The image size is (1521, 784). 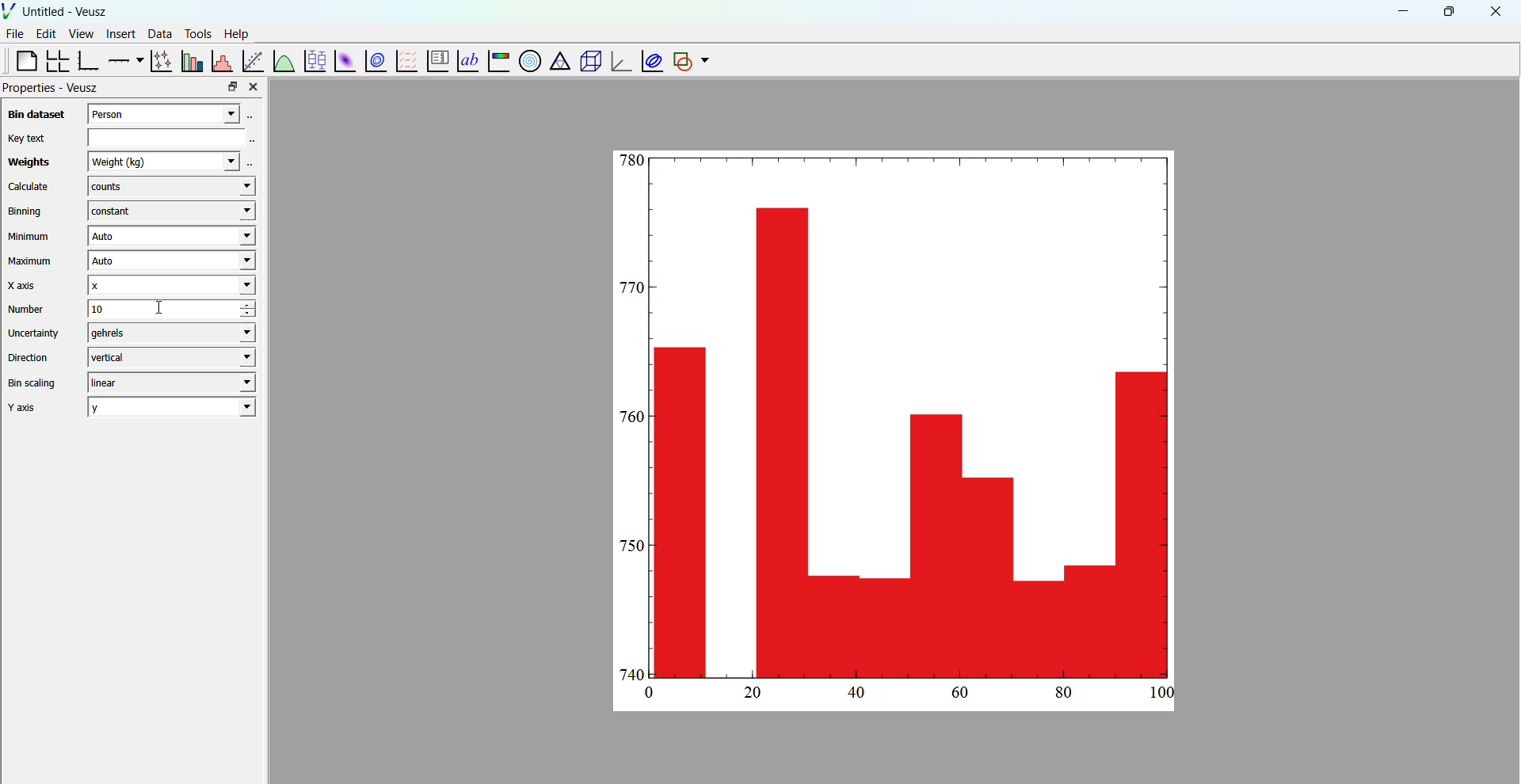 What do you see at coordinates (619, 63) in the screenshot?
I see `3d graph` at bounding box center [619, 63].